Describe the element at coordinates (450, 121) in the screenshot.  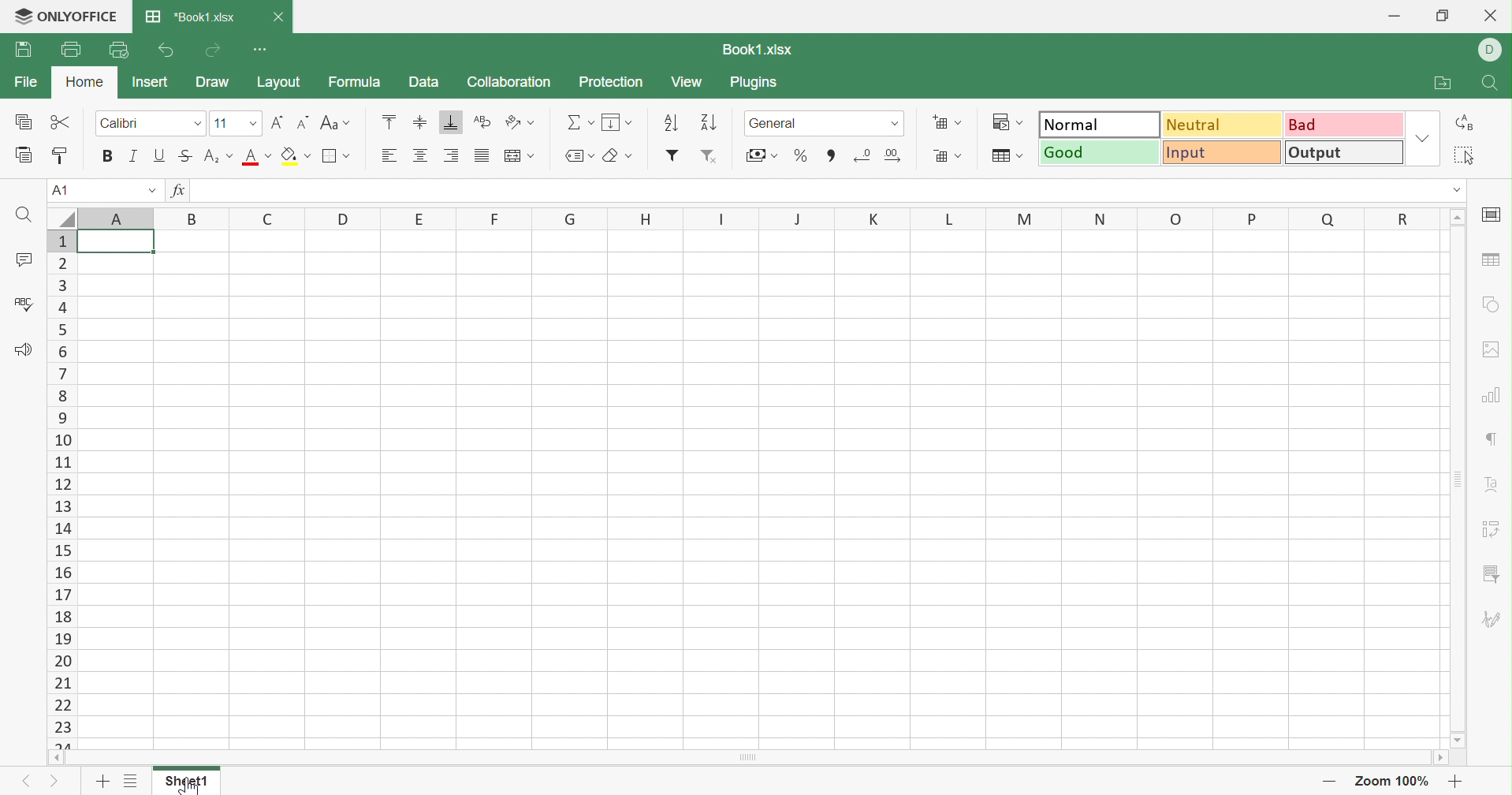
I see `Align Bottom` at that location.